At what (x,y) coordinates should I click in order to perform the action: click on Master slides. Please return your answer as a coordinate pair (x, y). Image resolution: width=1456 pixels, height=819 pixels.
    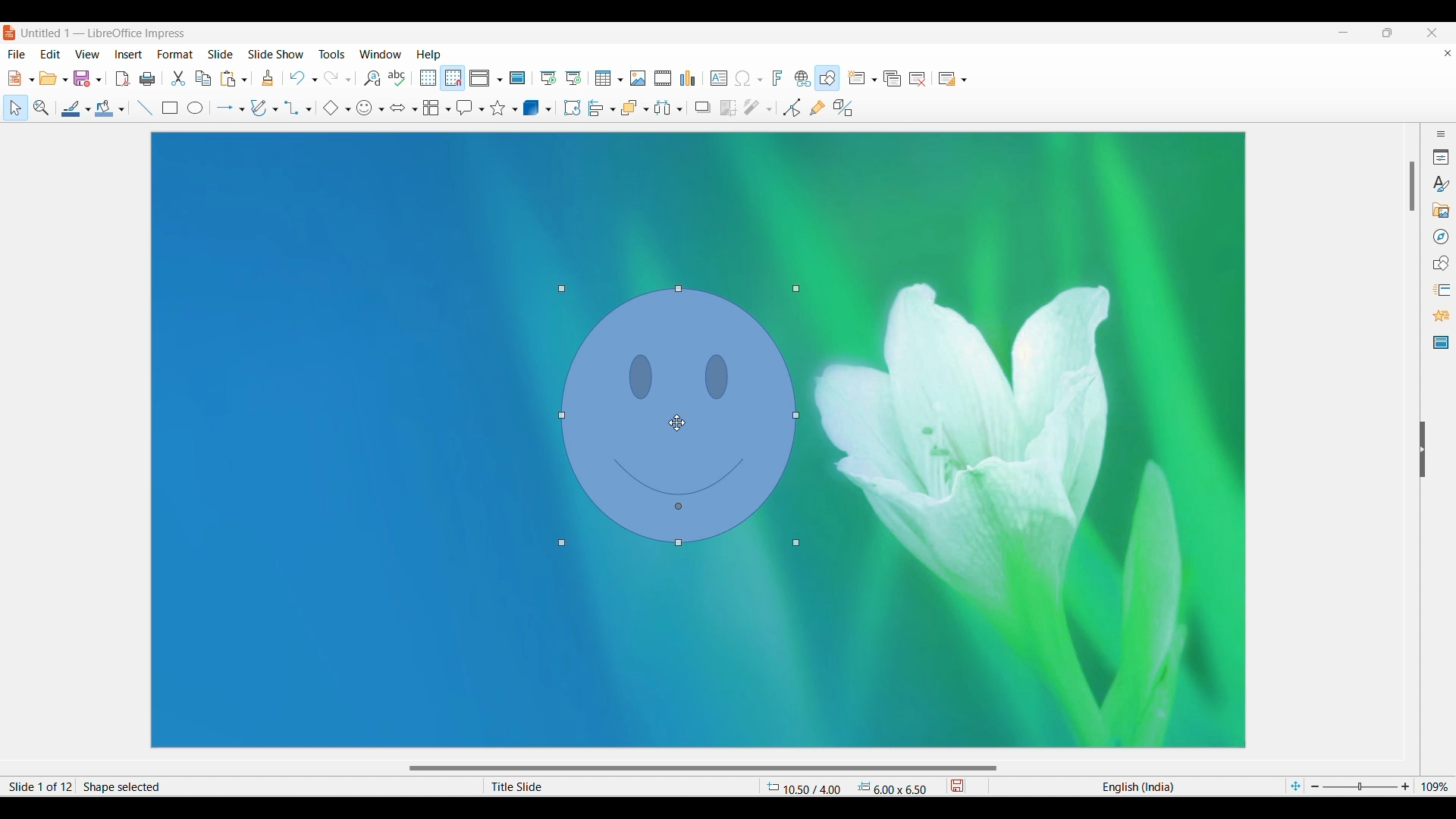
    Looking at the image, I should click on (1441, 342).